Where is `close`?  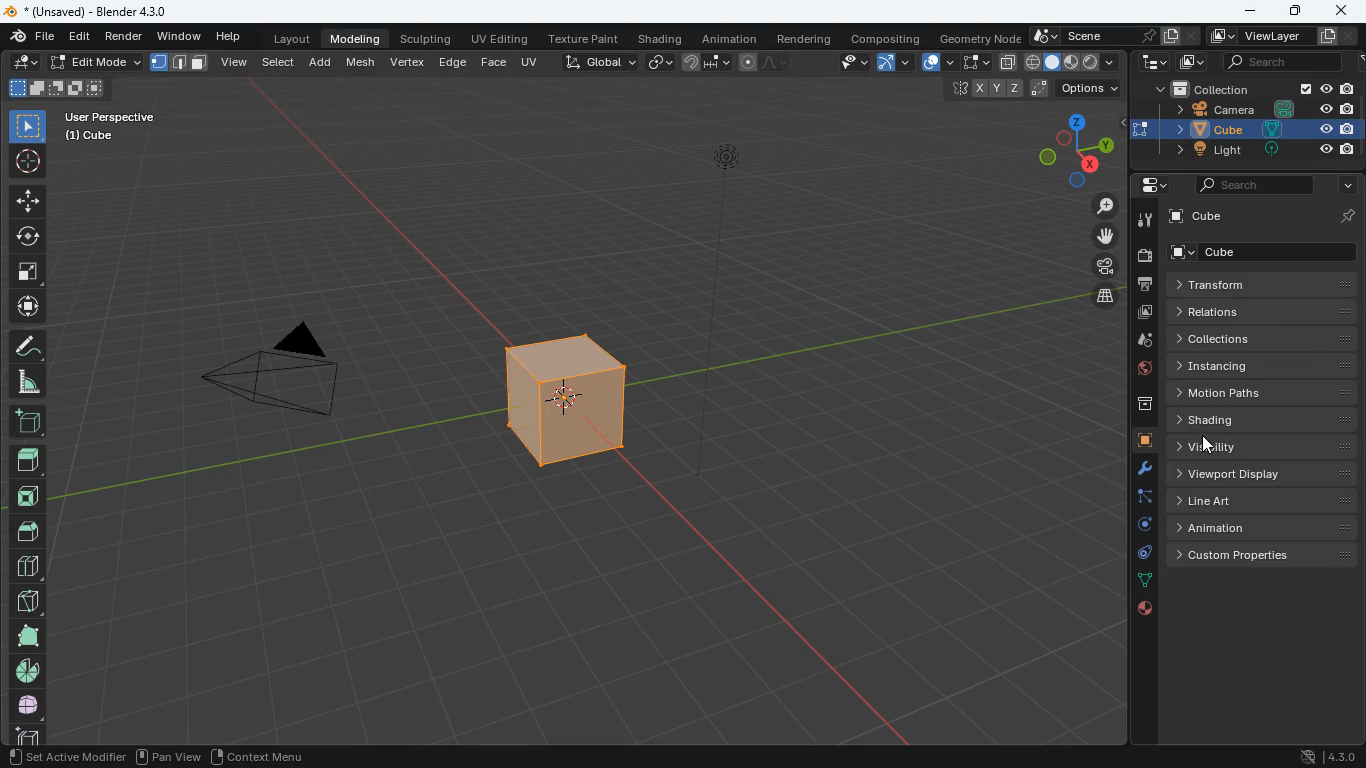
close is located at coordinates (1340, 10).